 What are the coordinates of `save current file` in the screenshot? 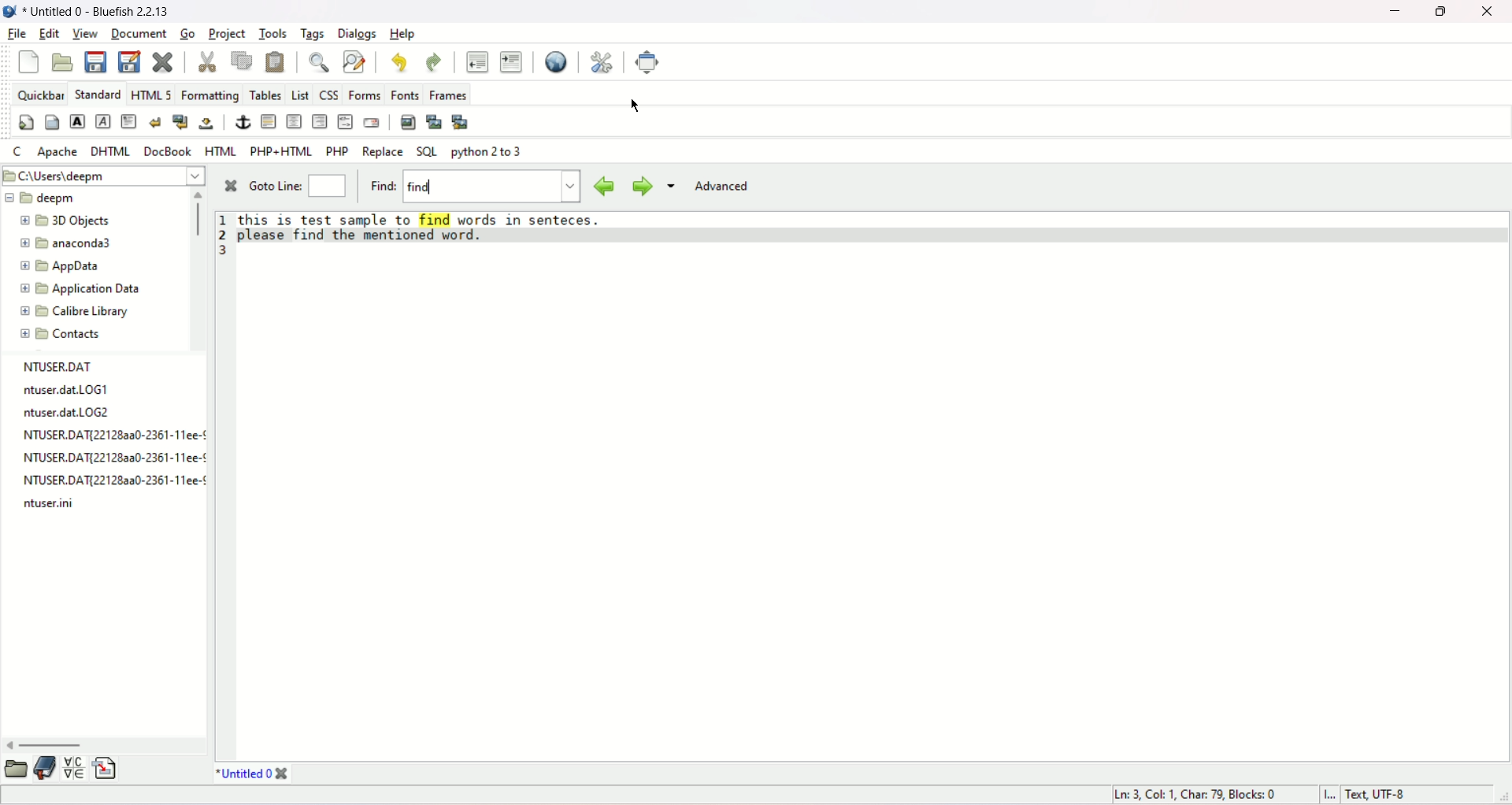 It's located at (95, 61).